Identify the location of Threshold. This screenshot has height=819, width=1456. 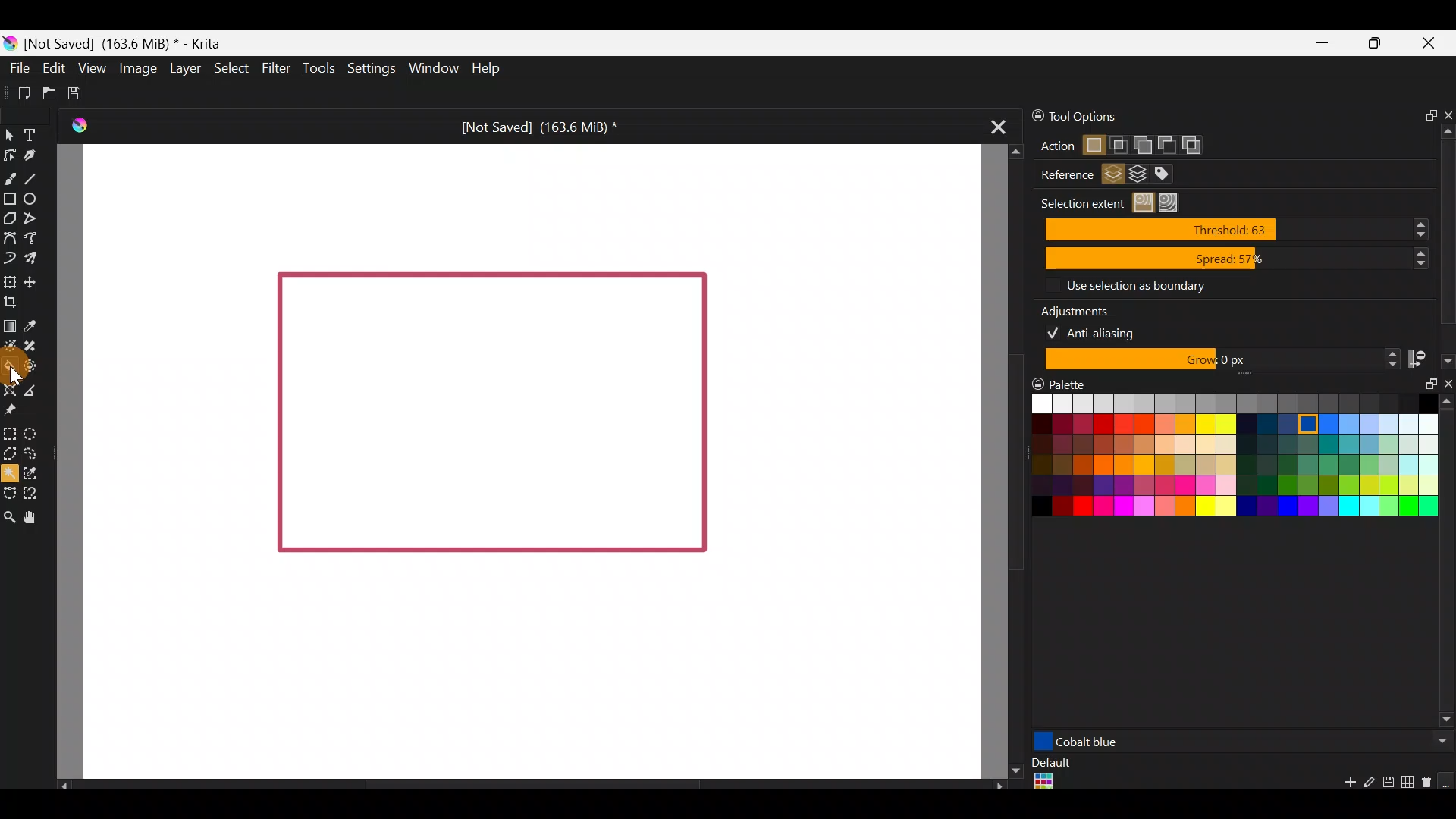
(1241, 229).